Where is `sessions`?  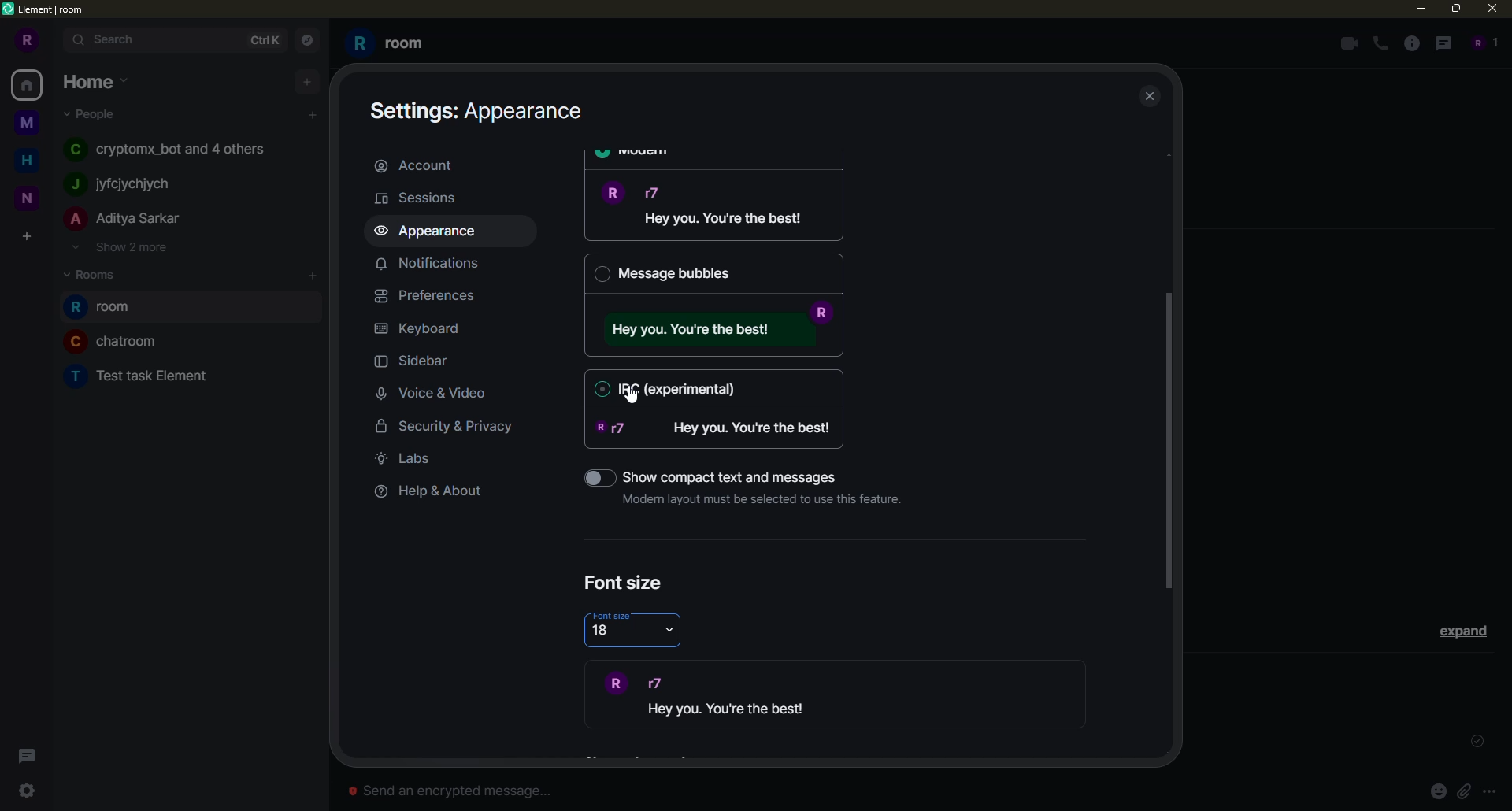 sessions is located at coordinates (422, 196).